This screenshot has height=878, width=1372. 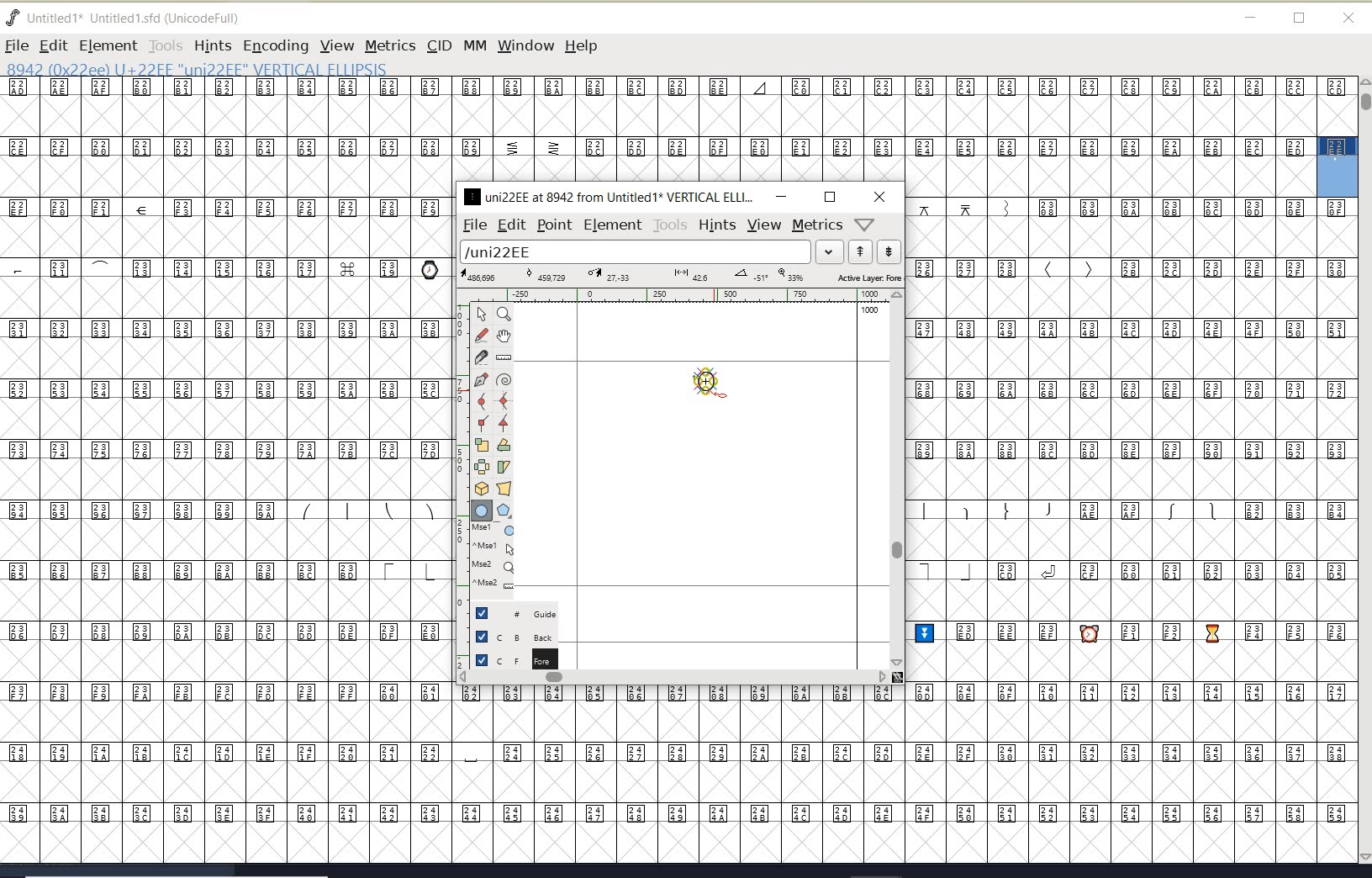 I want to click on uni22EE at 8942 from Untitled1 VERTICAL ELLIPSE, so click(x=609, y=196).